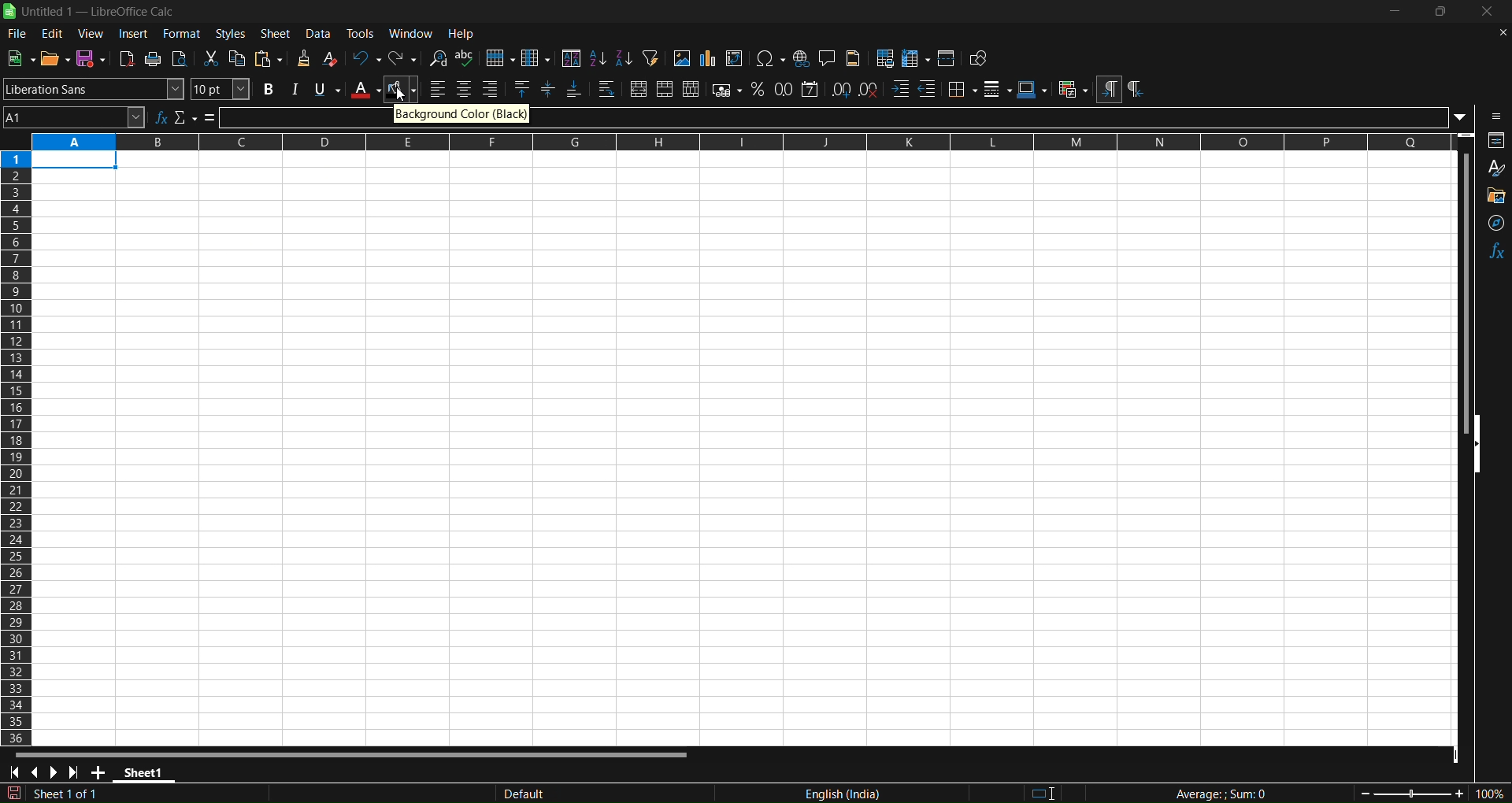  What do you see at coordinates (404, 57) in the screenshot?
I see `redo` at bounding box center [404, 57].